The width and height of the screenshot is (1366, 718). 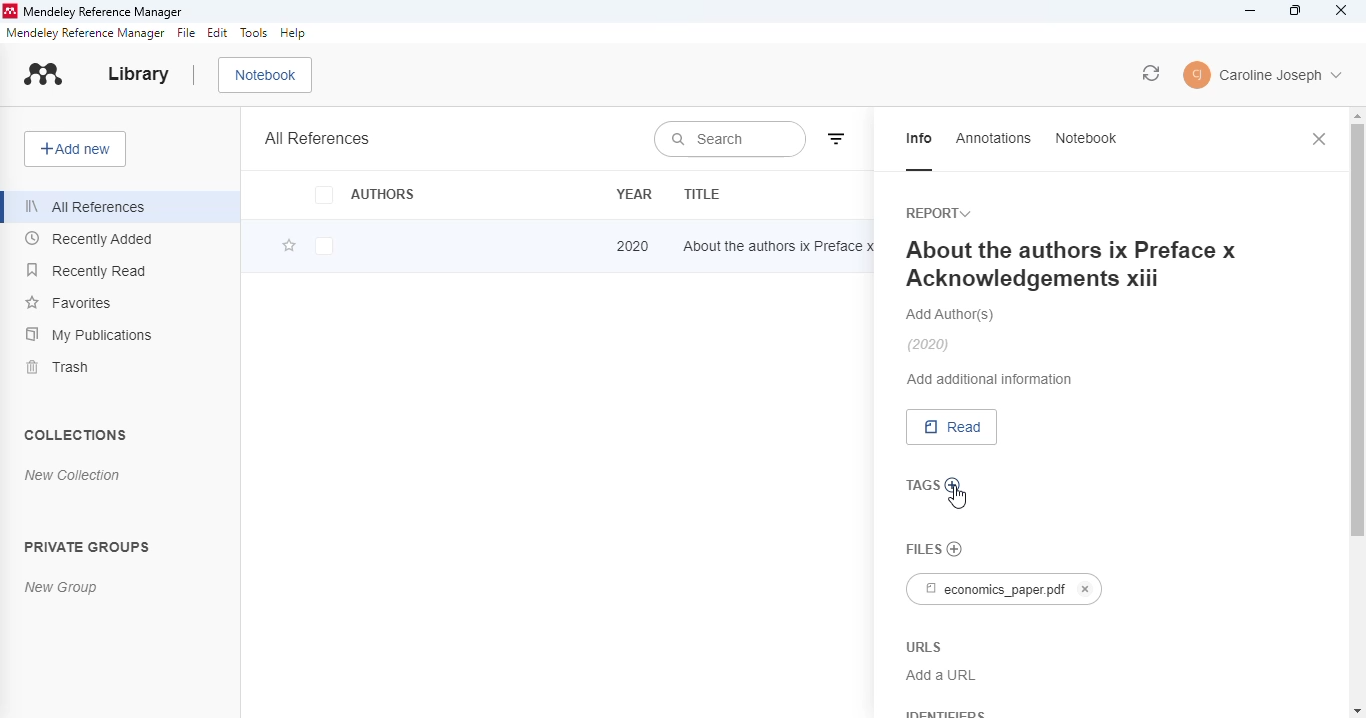 What do you see at coordinates (1320, 139) in the screenshot?
I see `close` at bounding box center [1320, 139].